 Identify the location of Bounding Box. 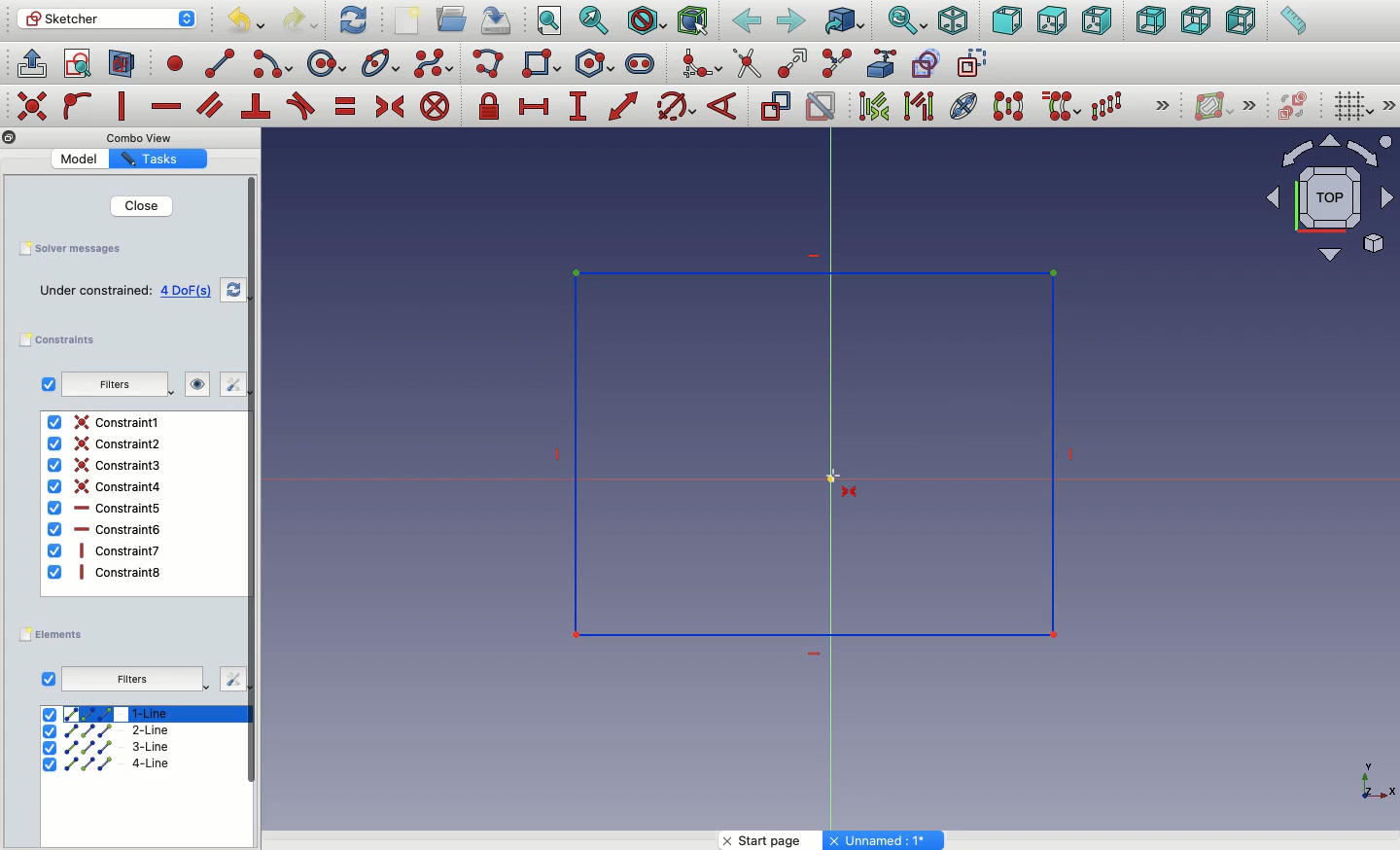
(692, 21).